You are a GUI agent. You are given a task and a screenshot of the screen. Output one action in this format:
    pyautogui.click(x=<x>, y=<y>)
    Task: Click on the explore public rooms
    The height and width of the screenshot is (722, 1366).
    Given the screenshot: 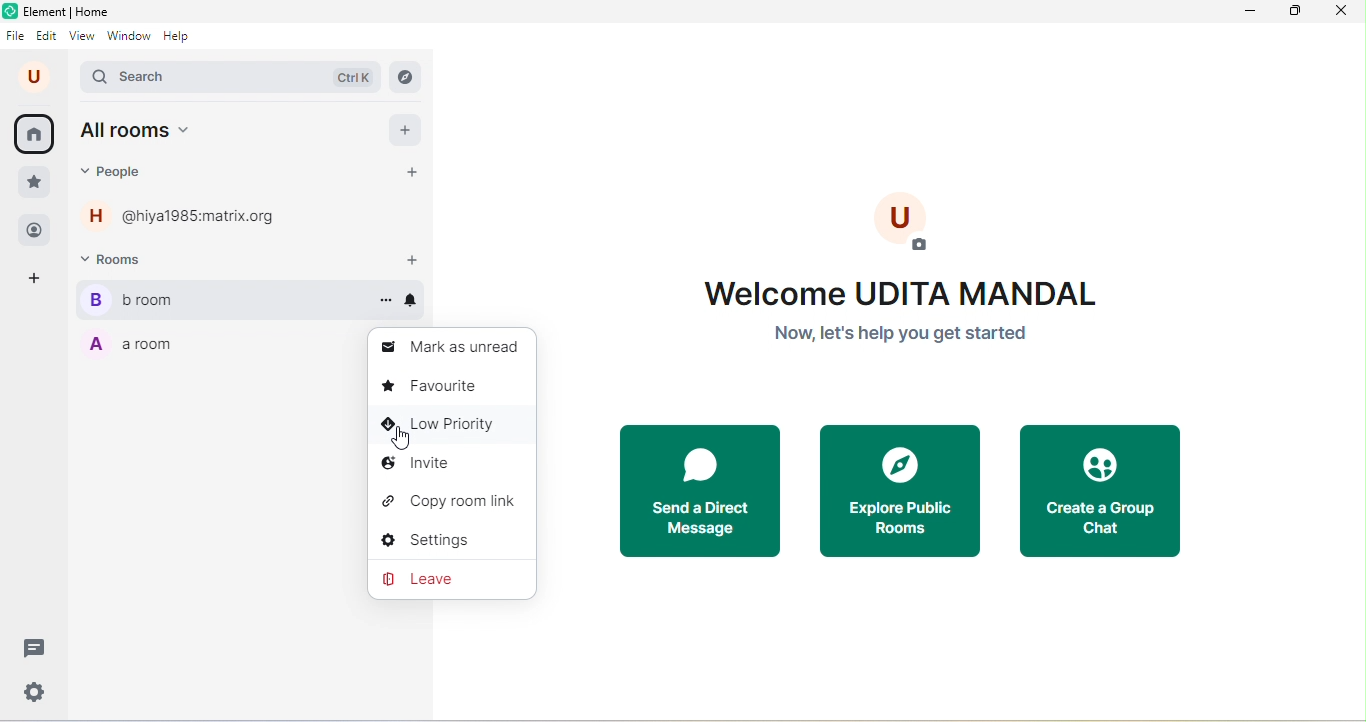 What is the action you would take?
    pyautogui.click(x=902, y=490)
    